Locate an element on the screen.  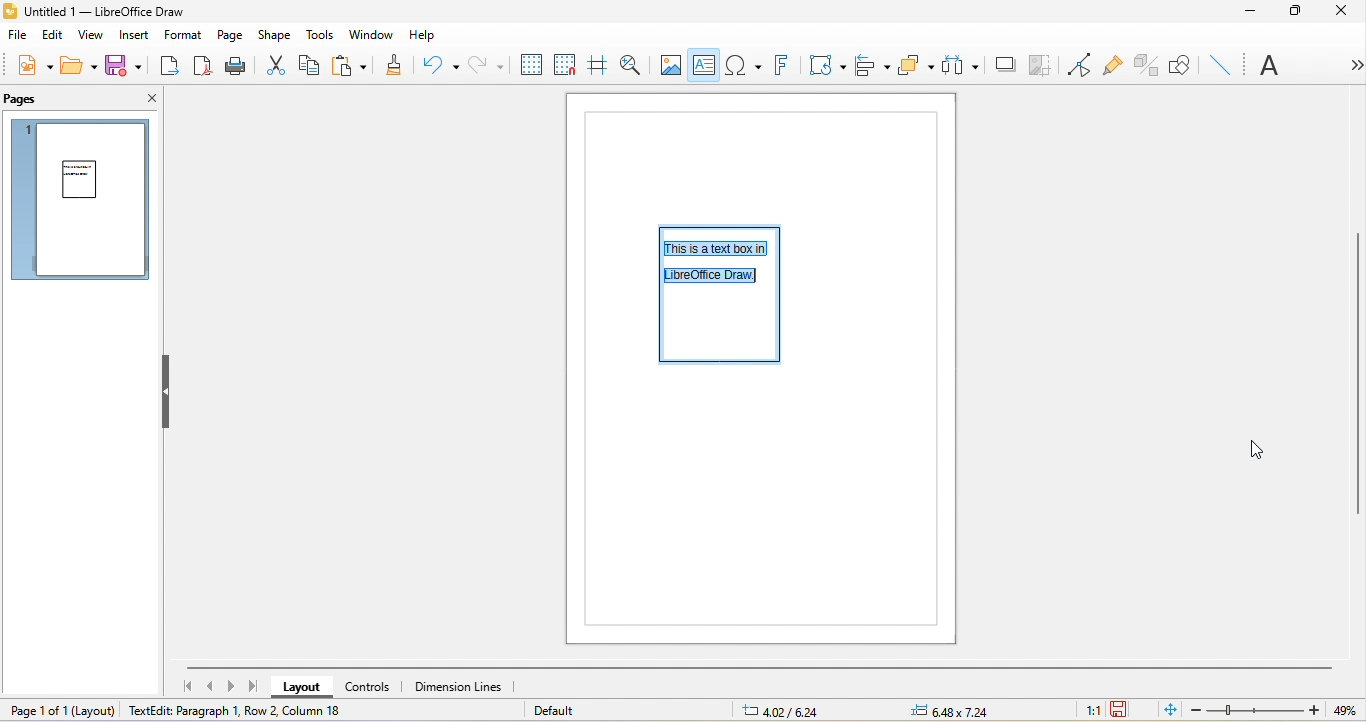
fontwork text is located at coordinates (780, 67).